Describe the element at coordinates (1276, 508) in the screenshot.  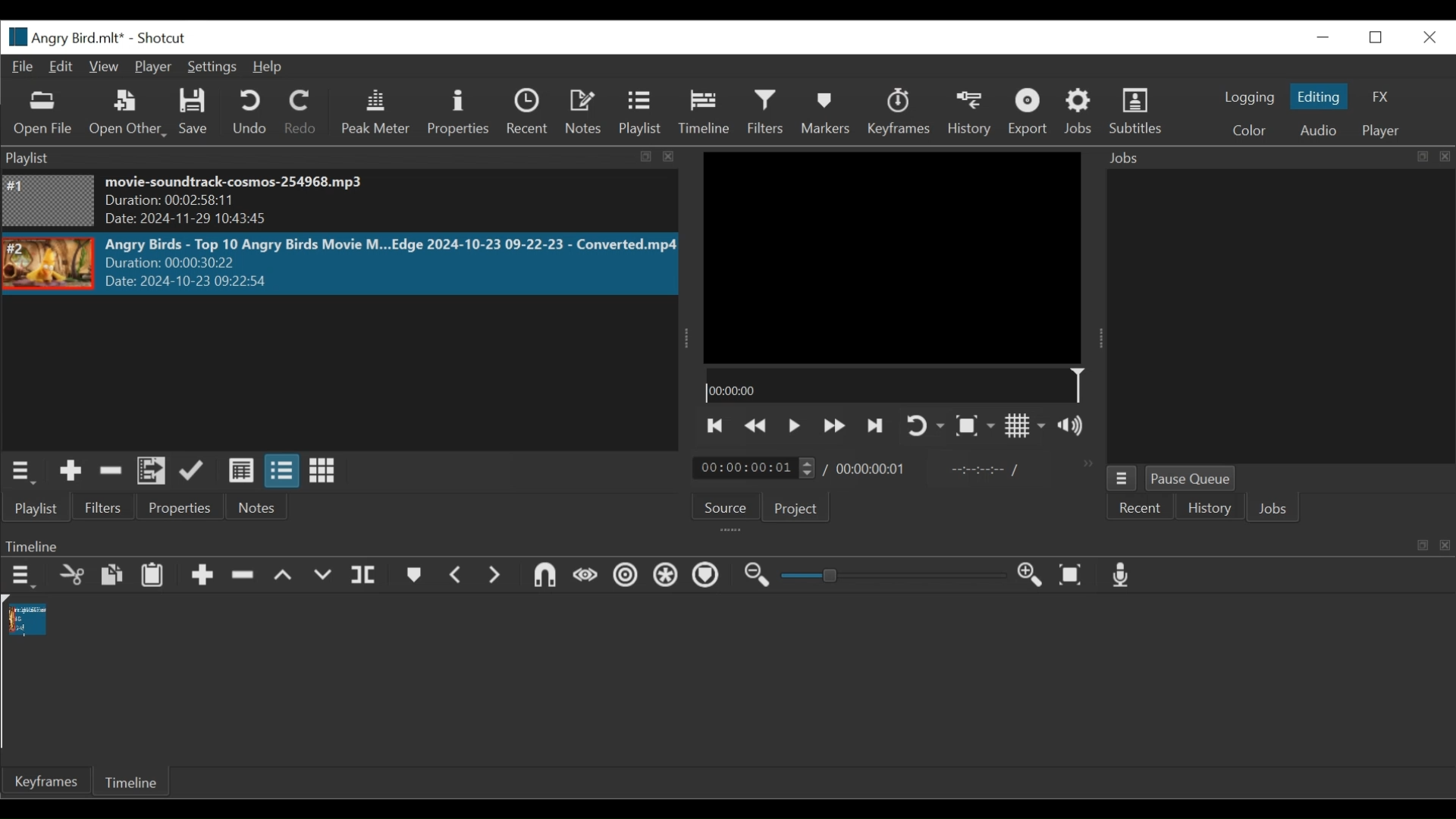
I see `Jobs` at that location.